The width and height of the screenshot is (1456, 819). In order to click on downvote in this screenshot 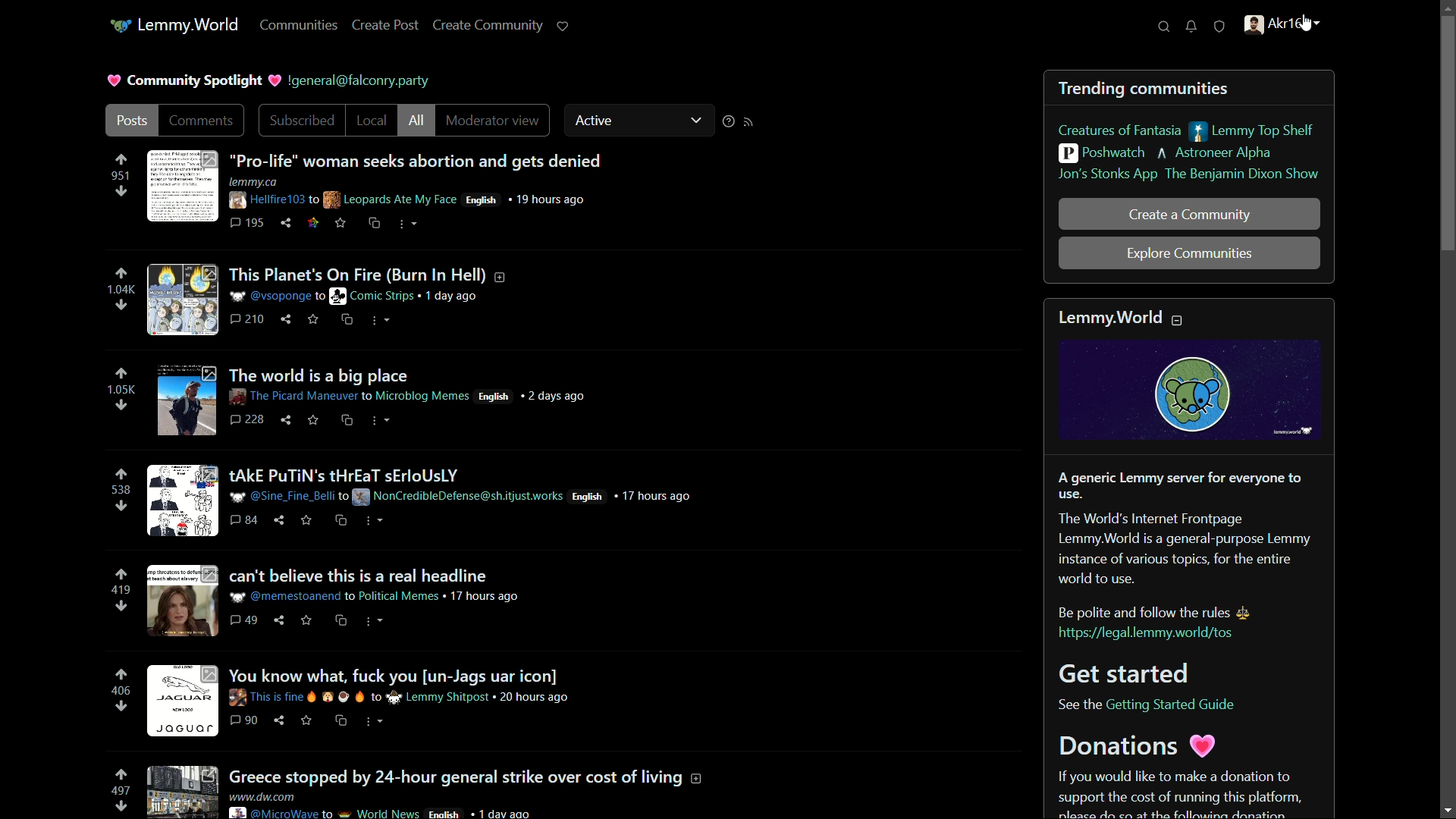, I will do `click(121, 406)`.